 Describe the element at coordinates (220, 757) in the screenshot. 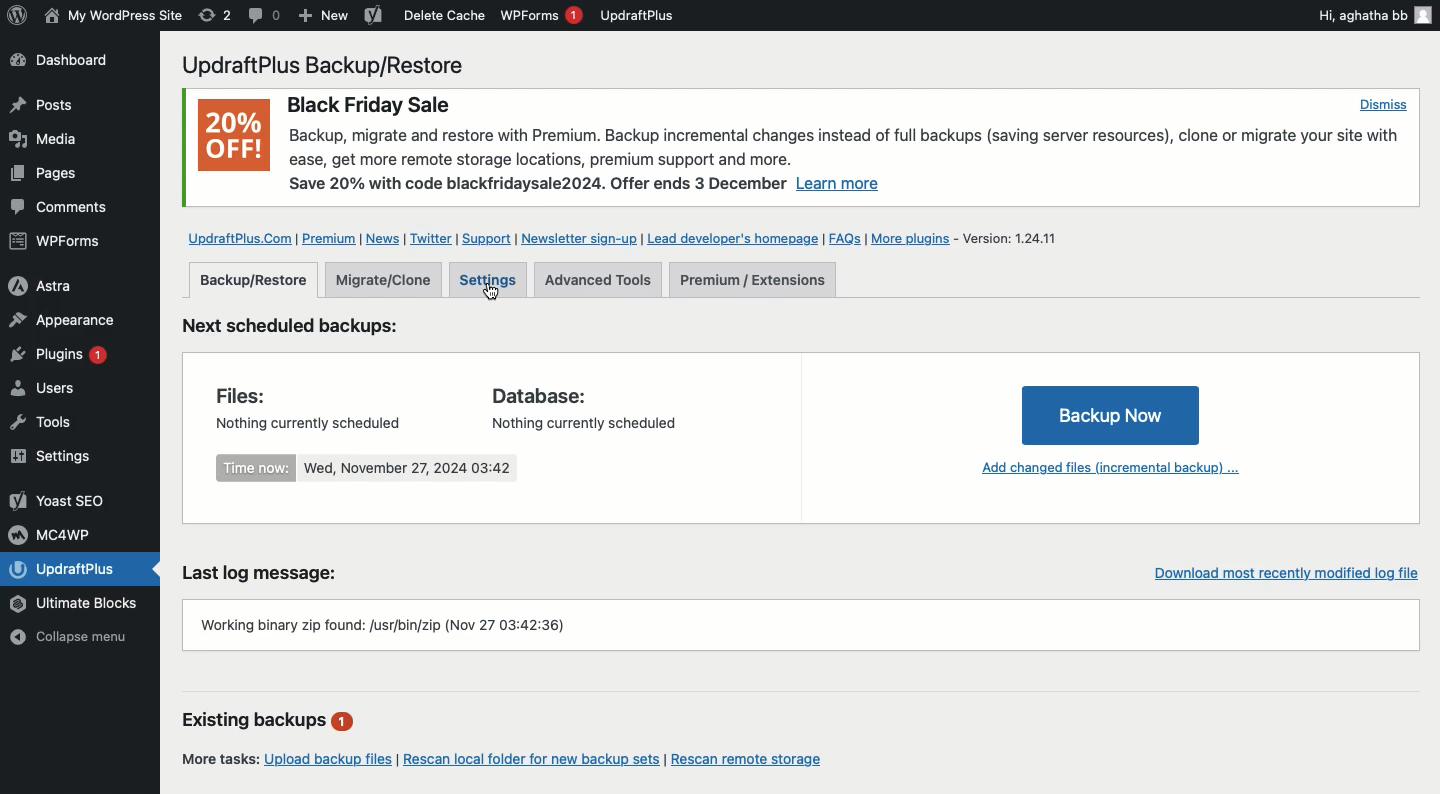

I see `More tasks` at that location.